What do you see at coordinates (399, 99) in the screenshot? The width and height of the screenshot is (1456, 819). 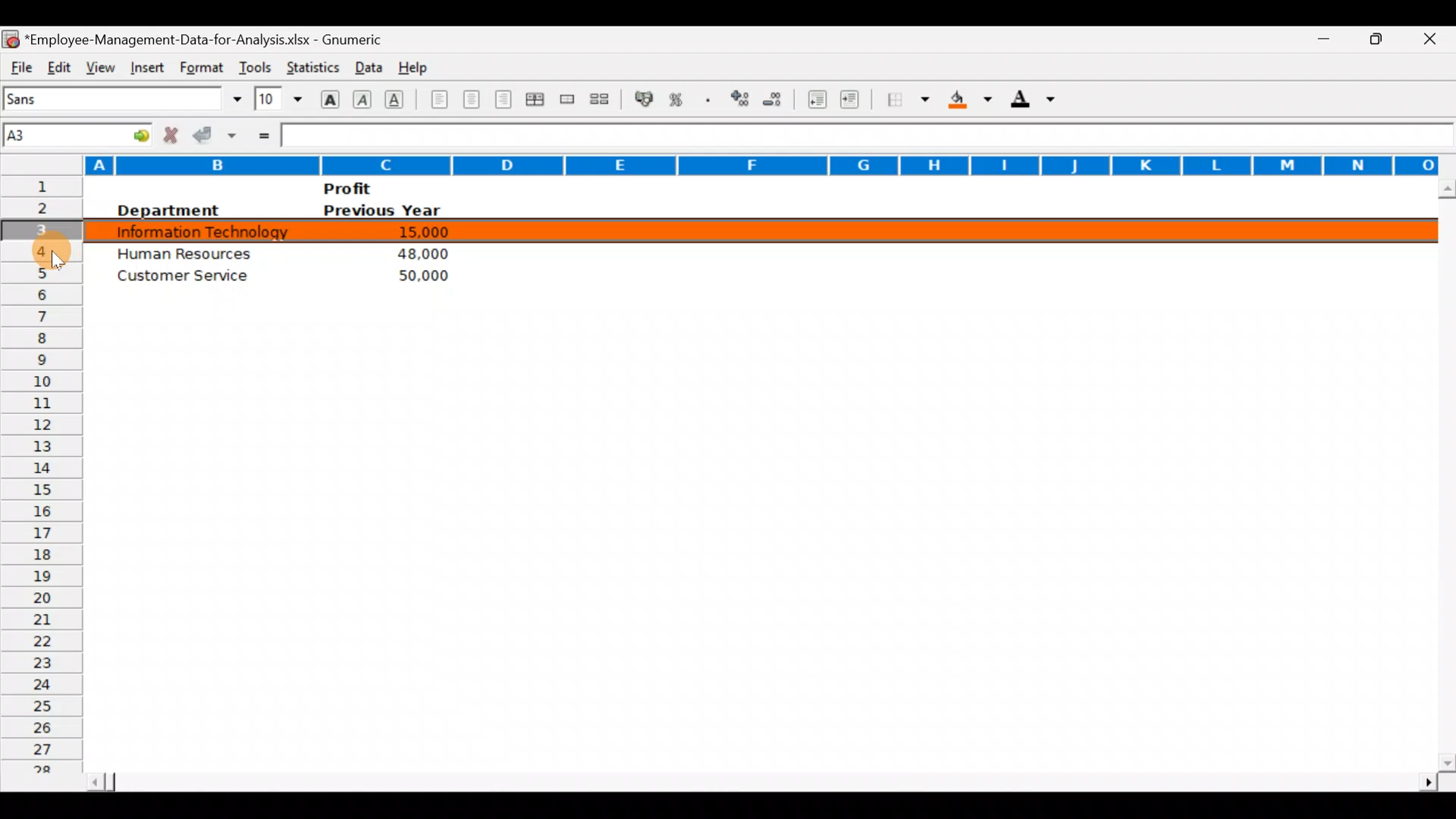 I see `Underline` at bounding box center [399, 99].